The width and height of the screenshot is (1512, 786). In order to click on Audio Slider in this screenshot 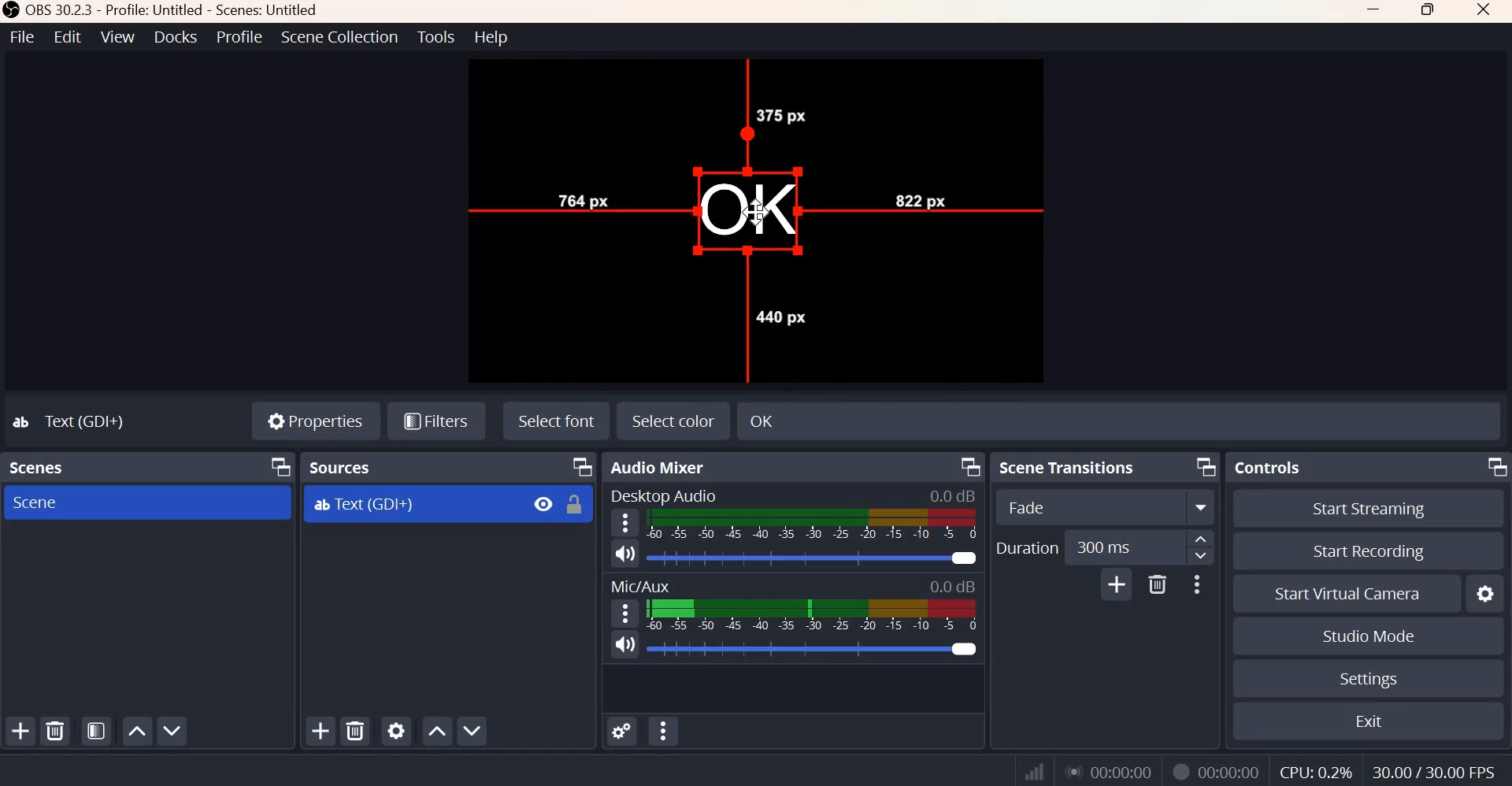, I will do `click(816, 649)`.